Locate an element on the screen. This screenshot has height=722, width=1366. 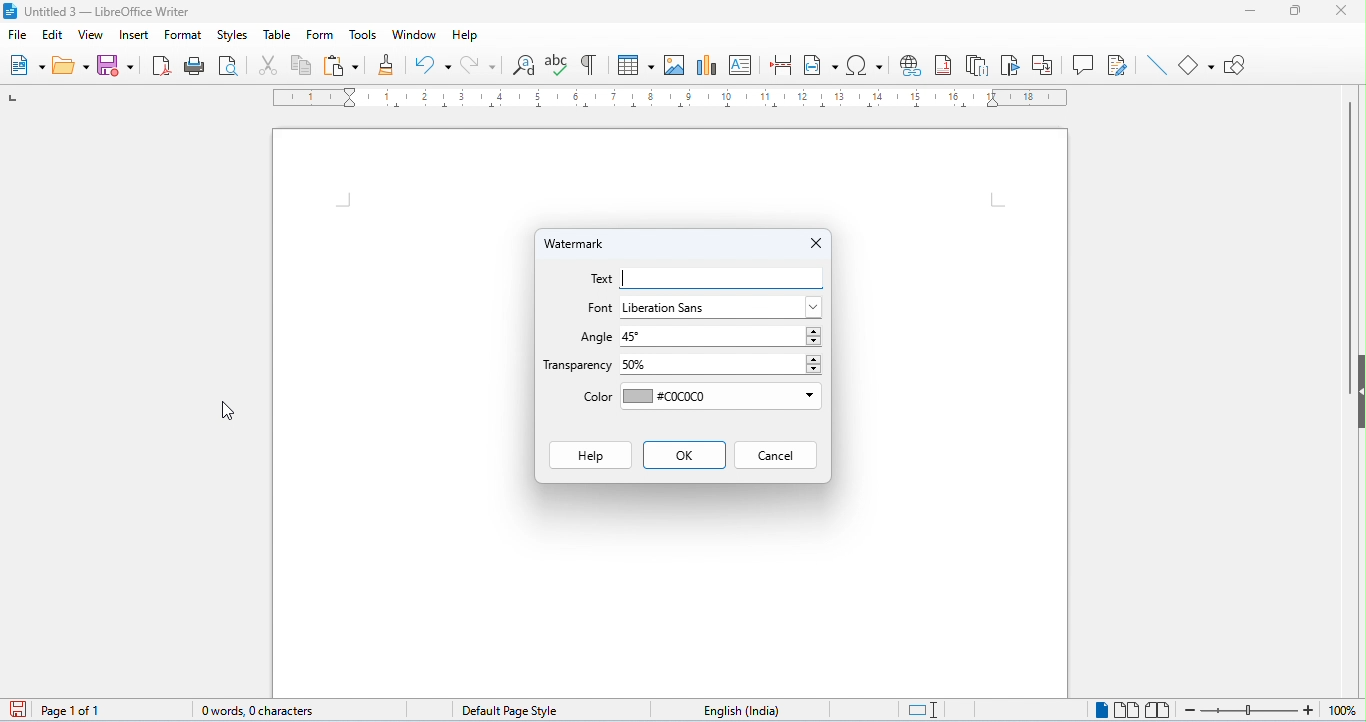
help is located at coordinates (585, 455).